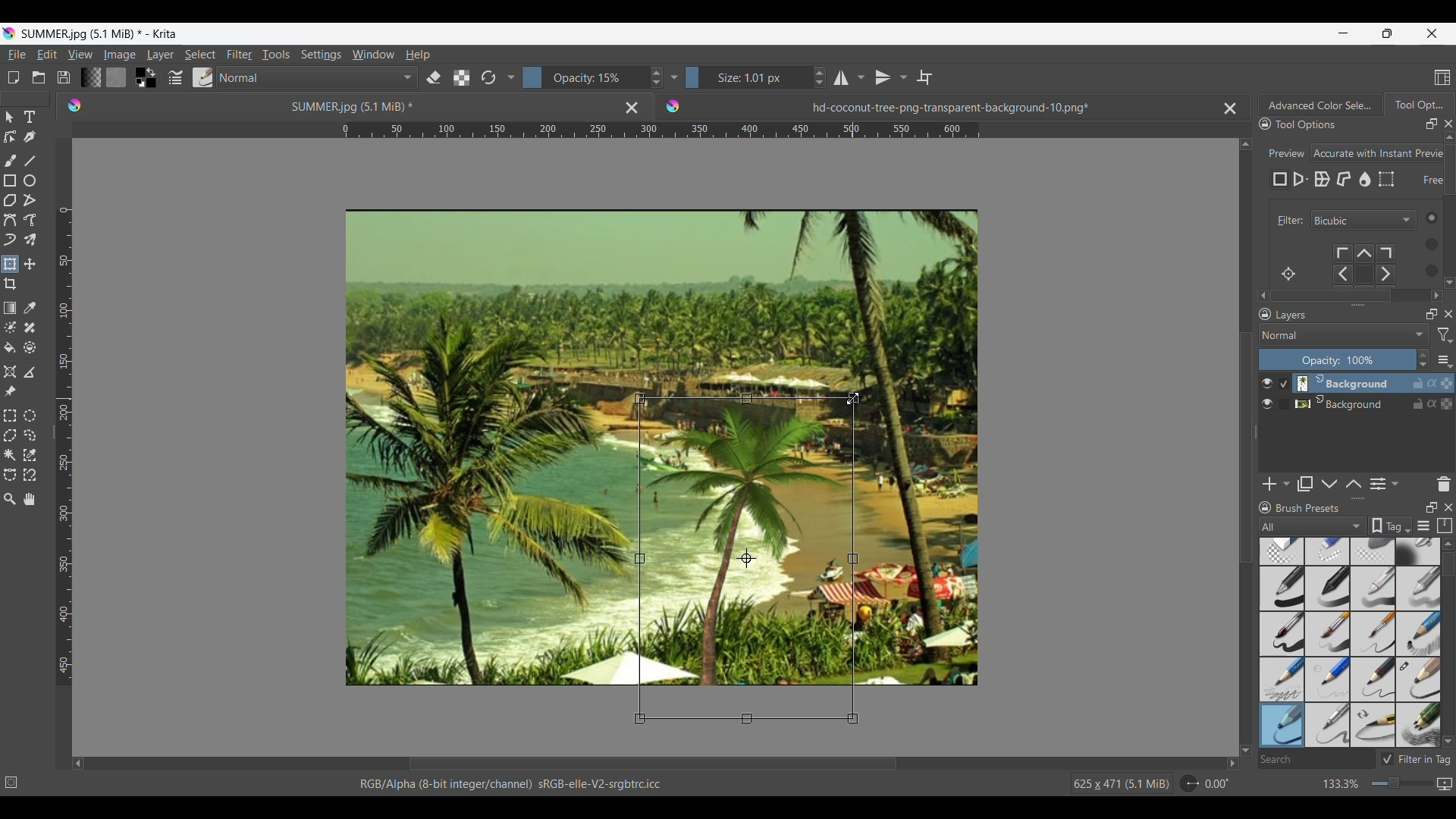 Image resolution: width=1456 pixels, height=819 pixels. I want to click on Polygonal selection tool, so click(10, 435).